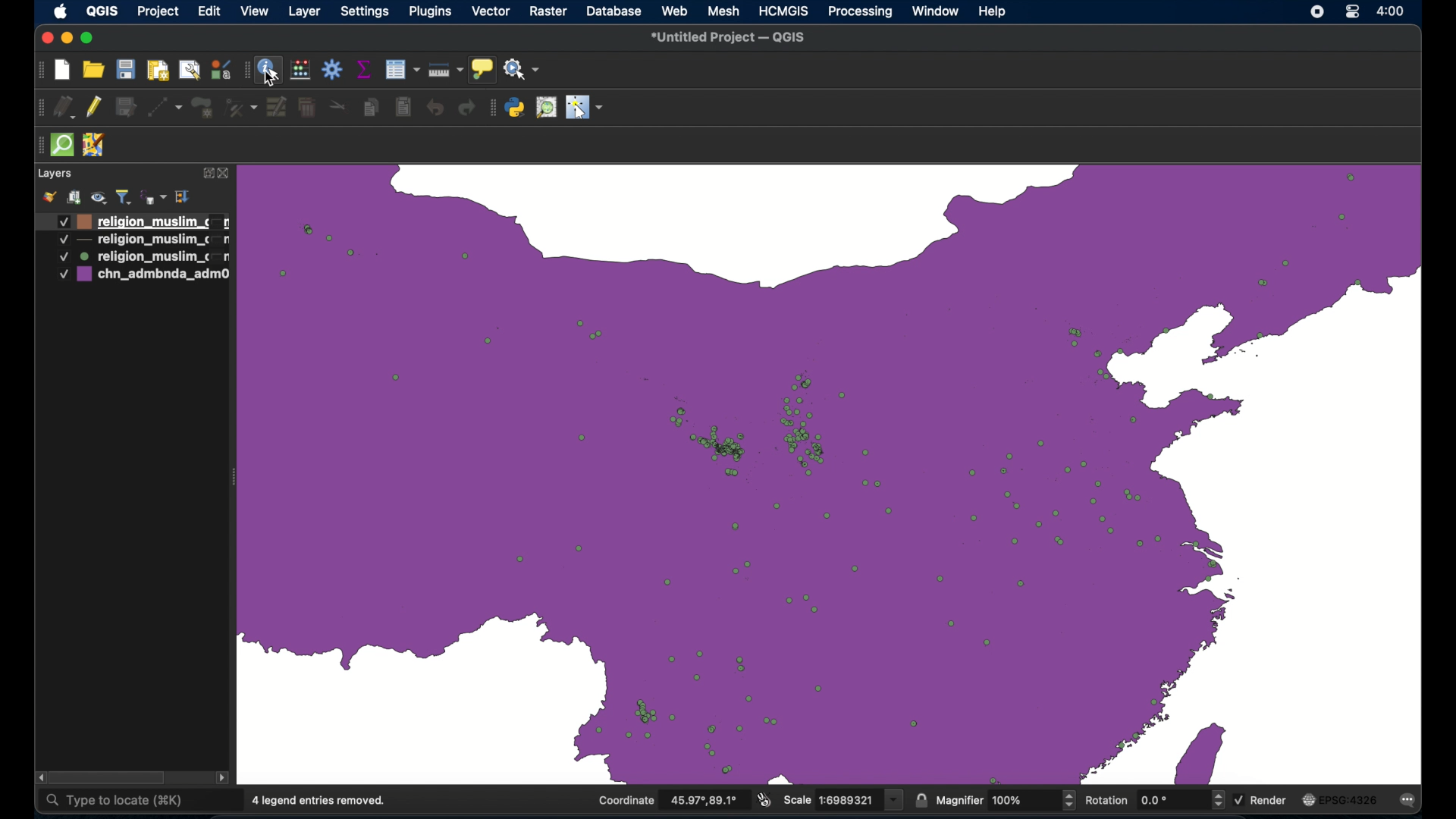 The height and width of the screenshot is (819, 1456). What do you see at coordinates (338, 106) in the screenshot?
I see `cut features` at bounding box center [338, 106].